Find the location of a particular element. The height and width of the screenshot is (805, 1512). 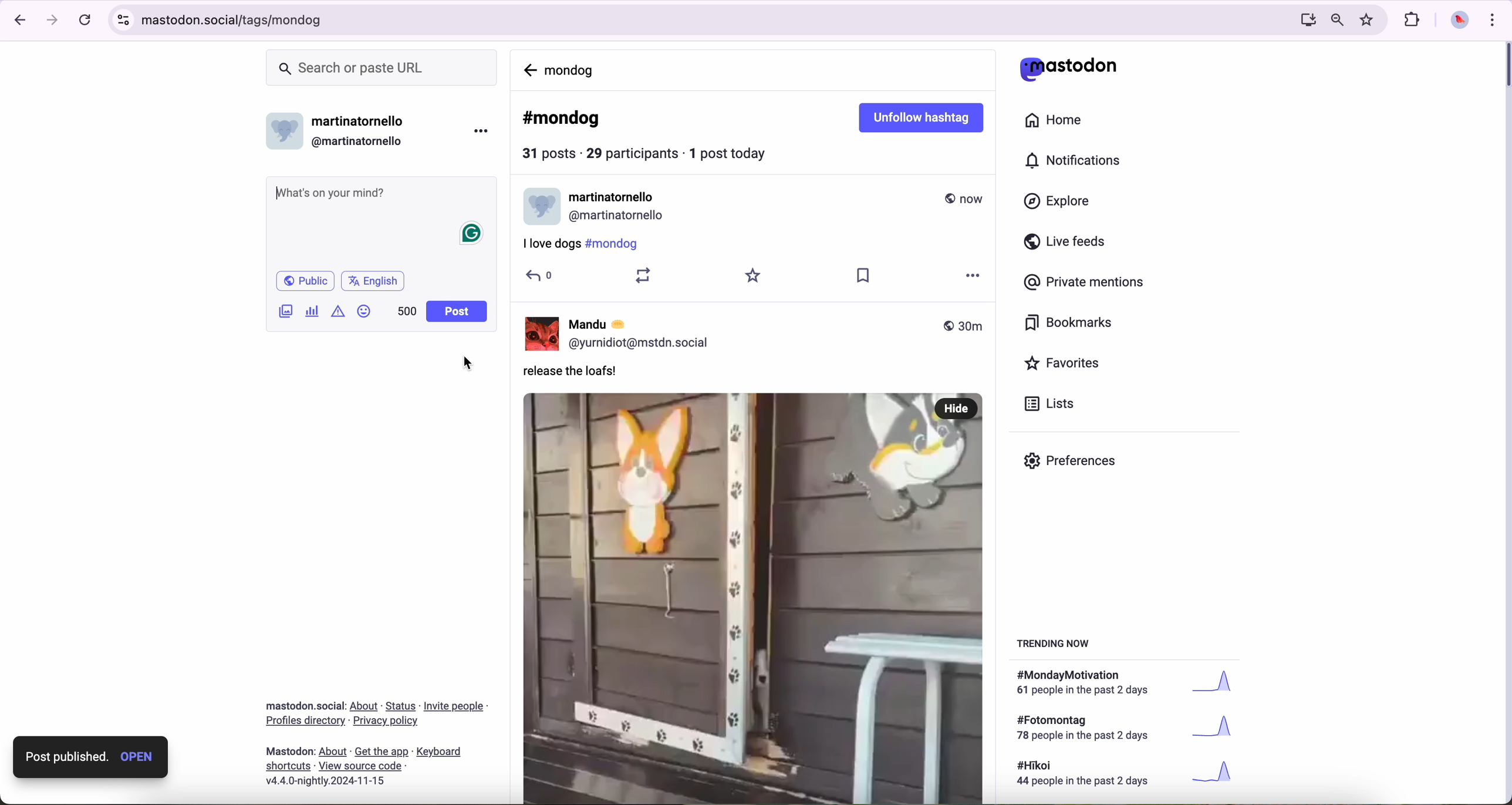

favorite is located at coordinates (754, 777).